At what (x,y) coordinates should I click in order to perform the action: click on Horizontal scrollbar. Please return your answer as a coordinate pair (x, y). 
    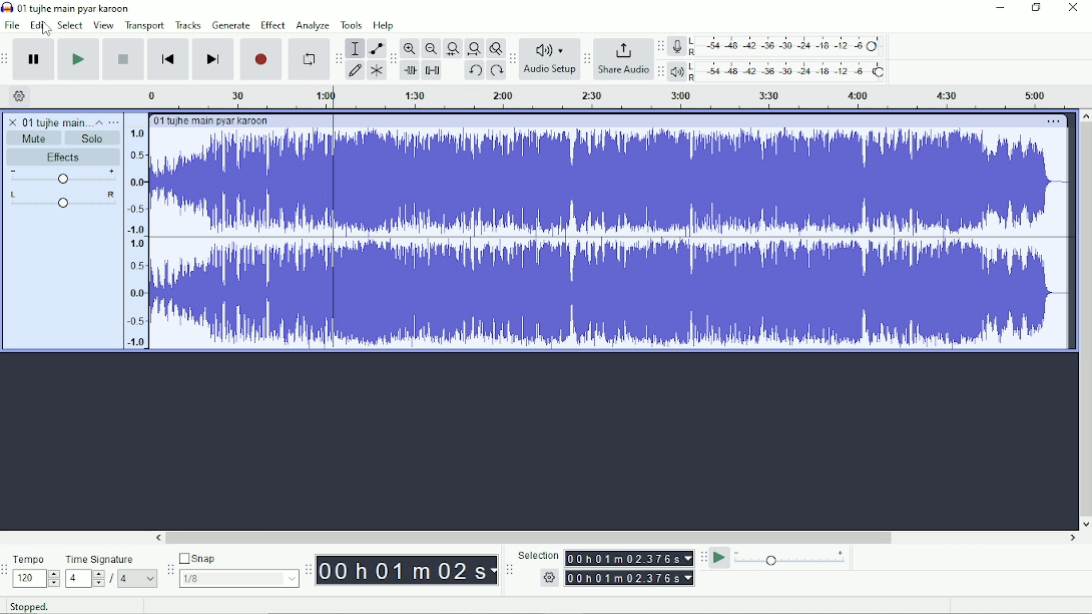
    Looking at the image, I should click on (534, 537).